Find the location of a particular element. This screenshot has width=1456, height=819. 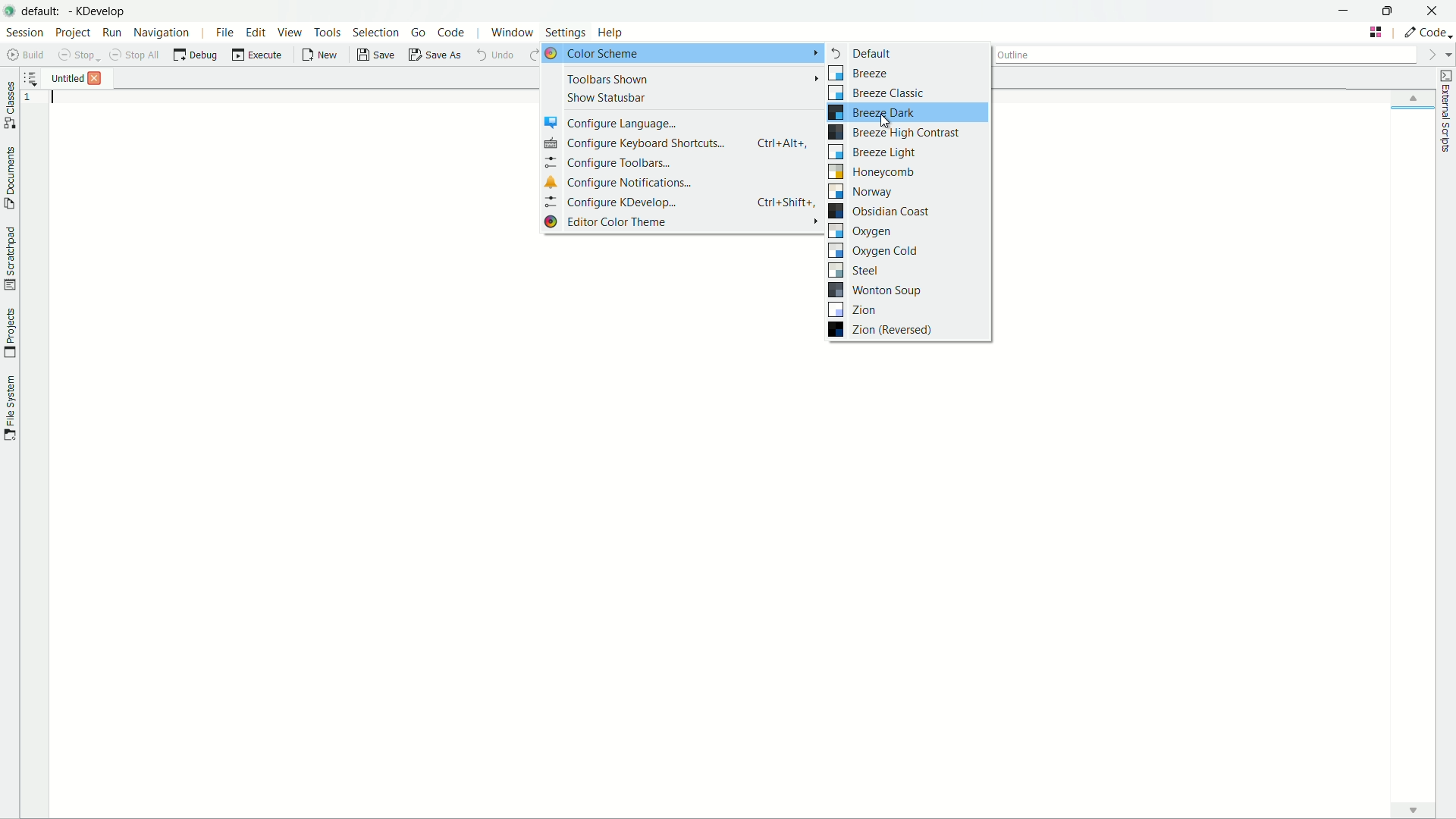

window is located at coordinates (513, 34).